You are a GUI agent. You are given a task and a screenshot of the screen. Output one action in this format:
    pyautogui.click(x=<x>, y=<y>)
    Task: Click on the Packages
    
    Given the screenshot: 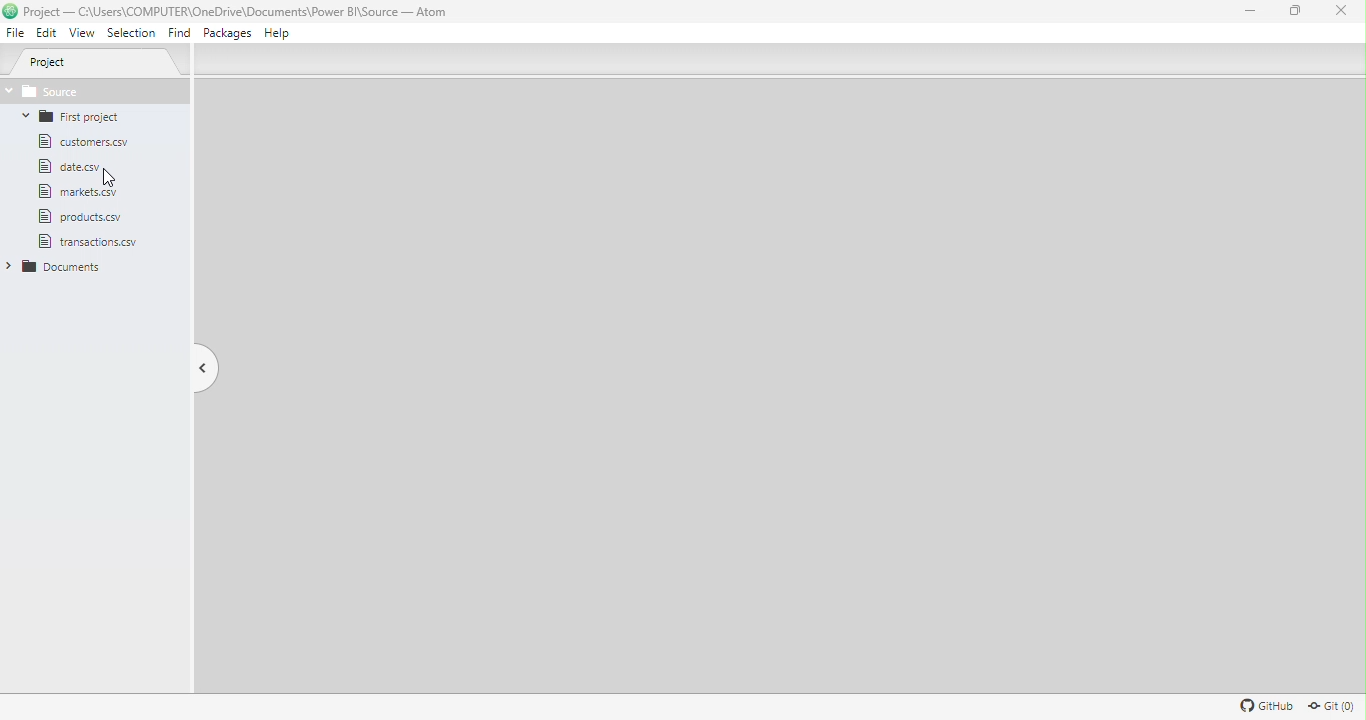 What is the action you would take?
    pyautogui.click(x=230, y=33)
    